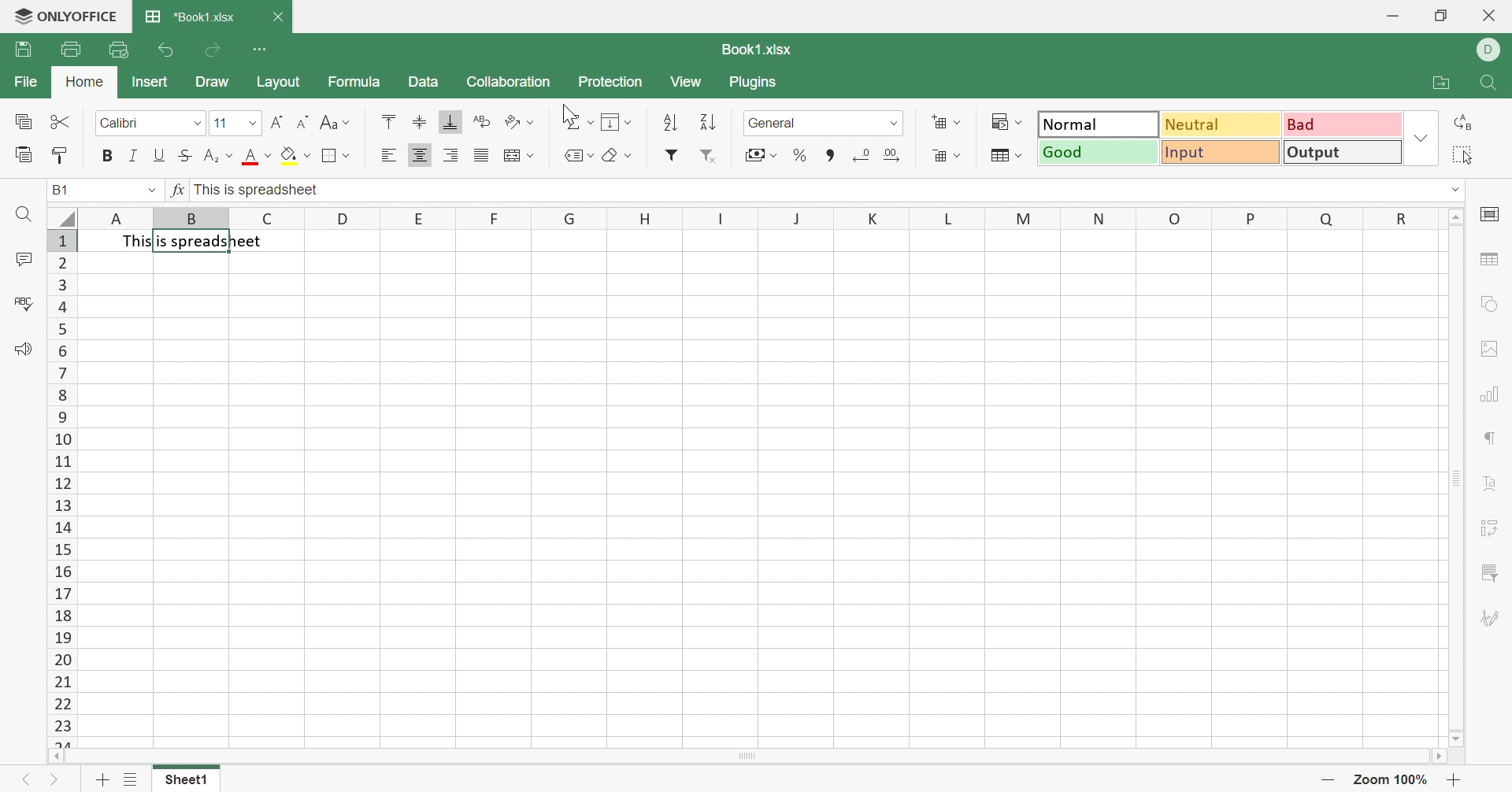 Image resolution: width=1512 pixels, height=792 pixels. Describe the element at coordinates (159, 154) in the screenshot. I see `Underline` at that location.